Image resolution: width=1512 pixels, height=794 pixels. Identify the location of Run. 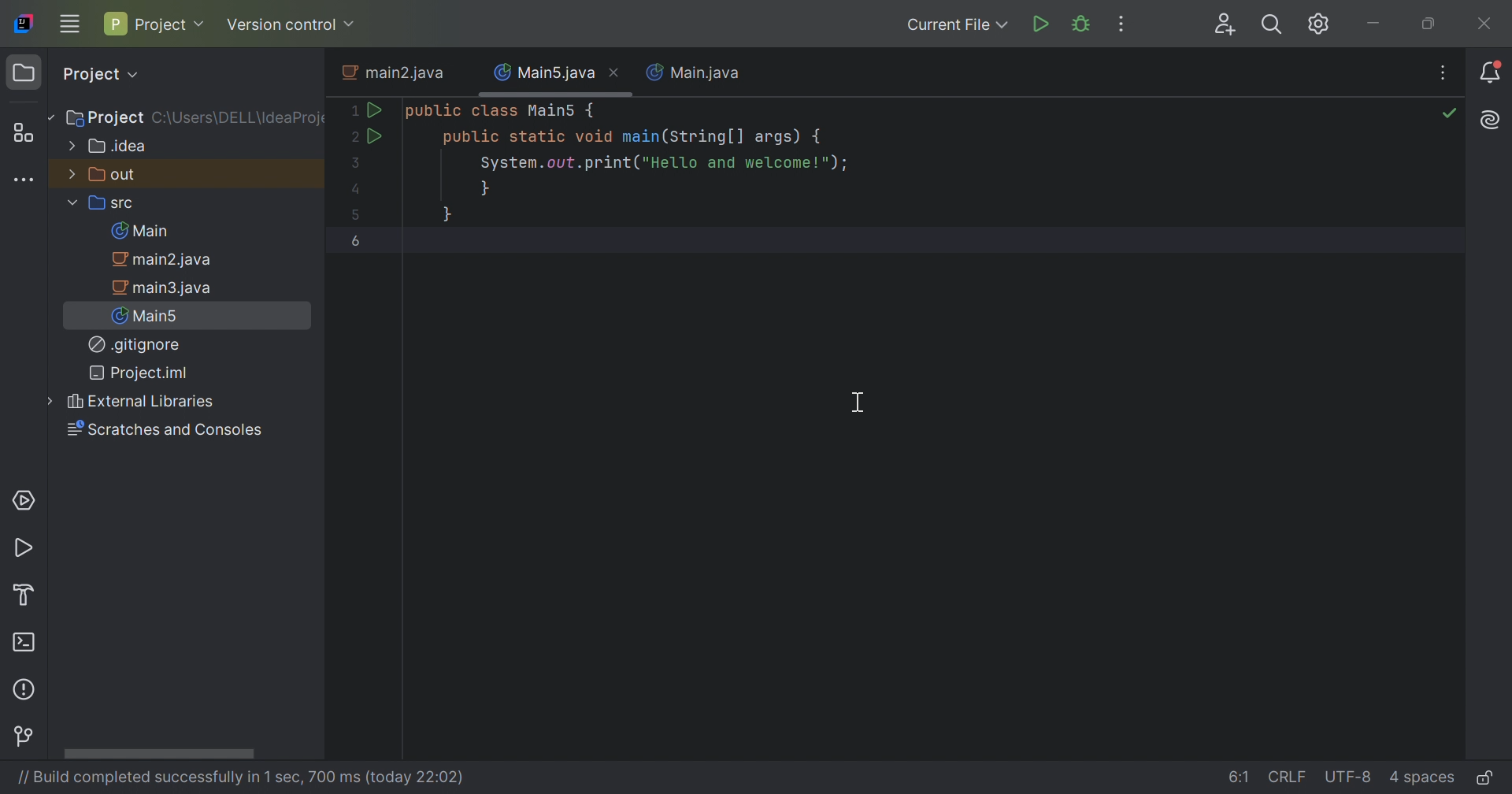
(374, 109).